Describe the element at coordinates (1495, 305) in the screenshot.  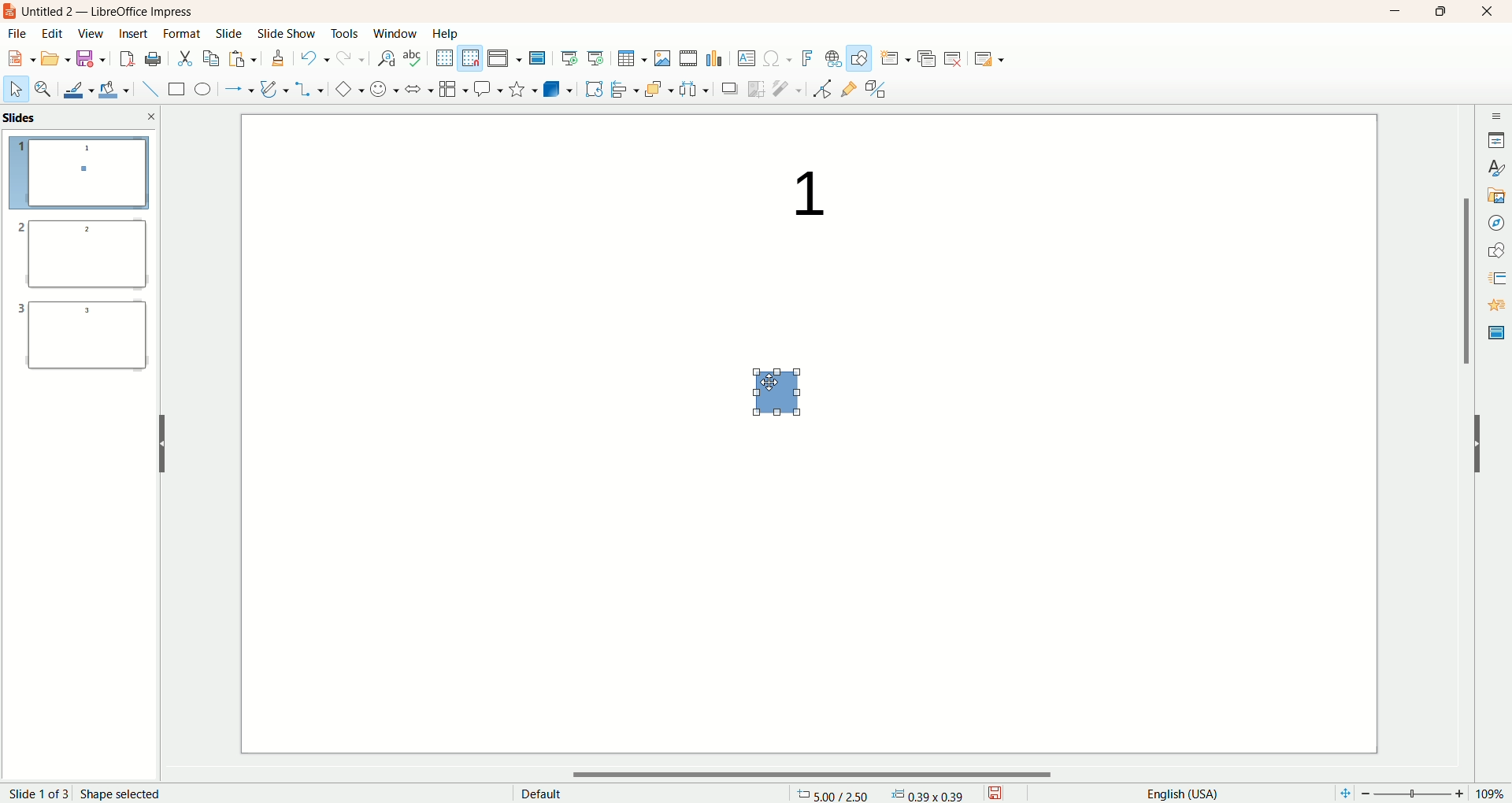
I see `animation` at that location.